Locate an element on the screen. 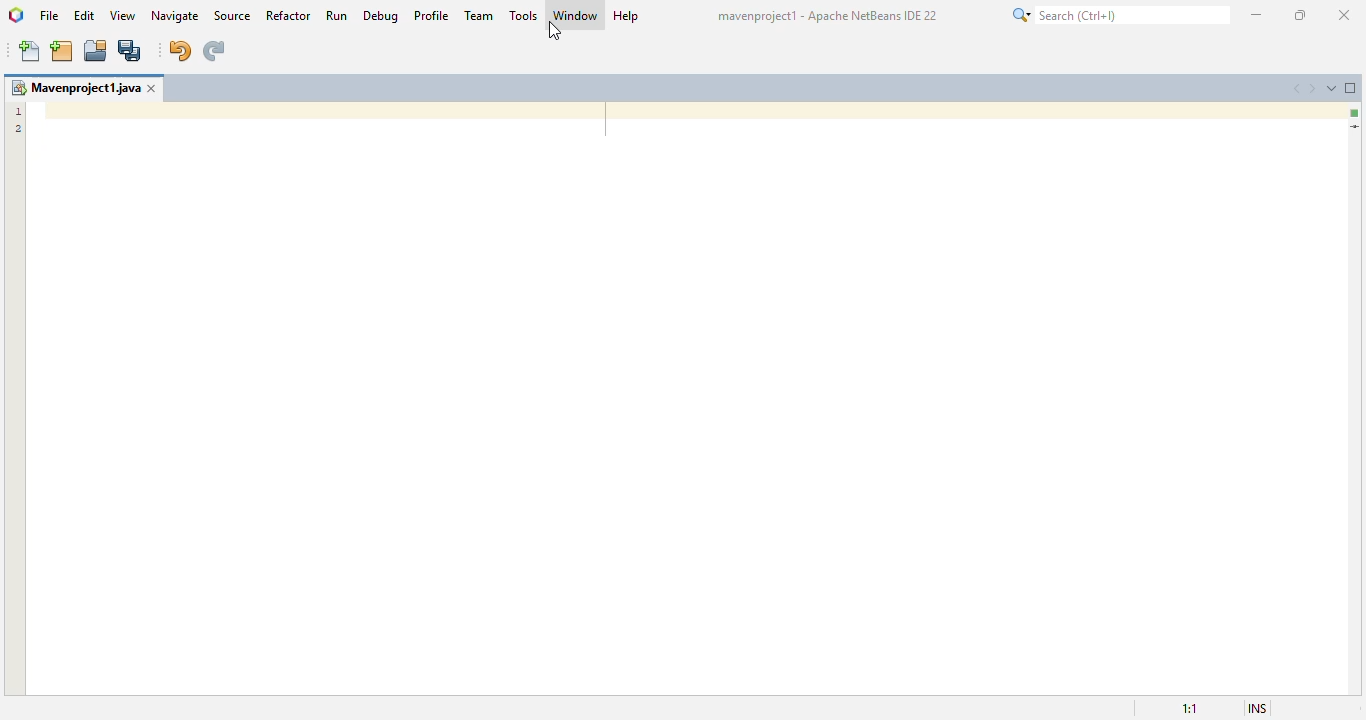 The width and height of the screenshot is (1366, 720). new file is located at coordinates (31, 52).